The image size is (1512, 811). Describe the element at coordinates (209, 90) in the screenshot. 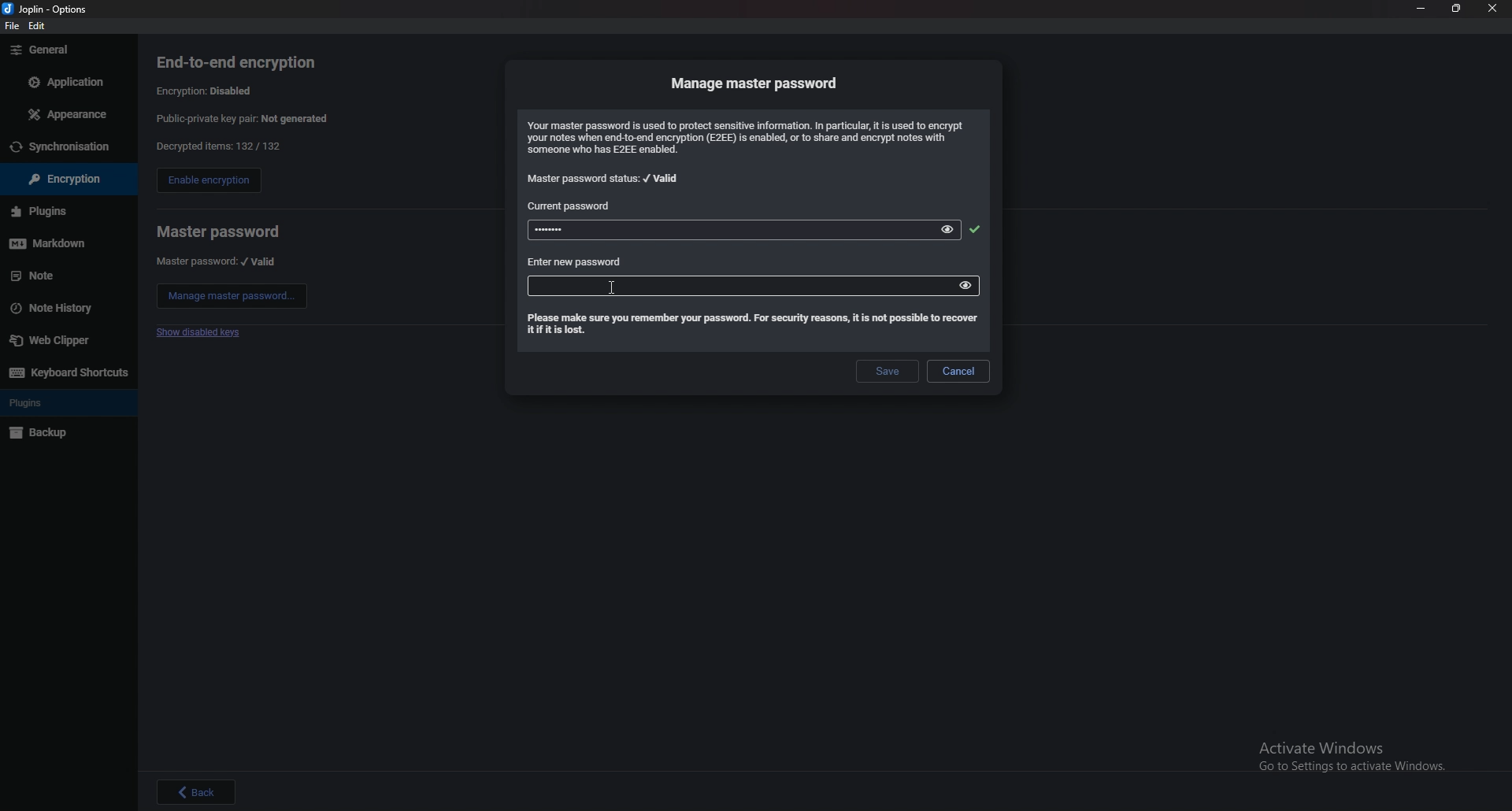

I see `encryption` at that location.